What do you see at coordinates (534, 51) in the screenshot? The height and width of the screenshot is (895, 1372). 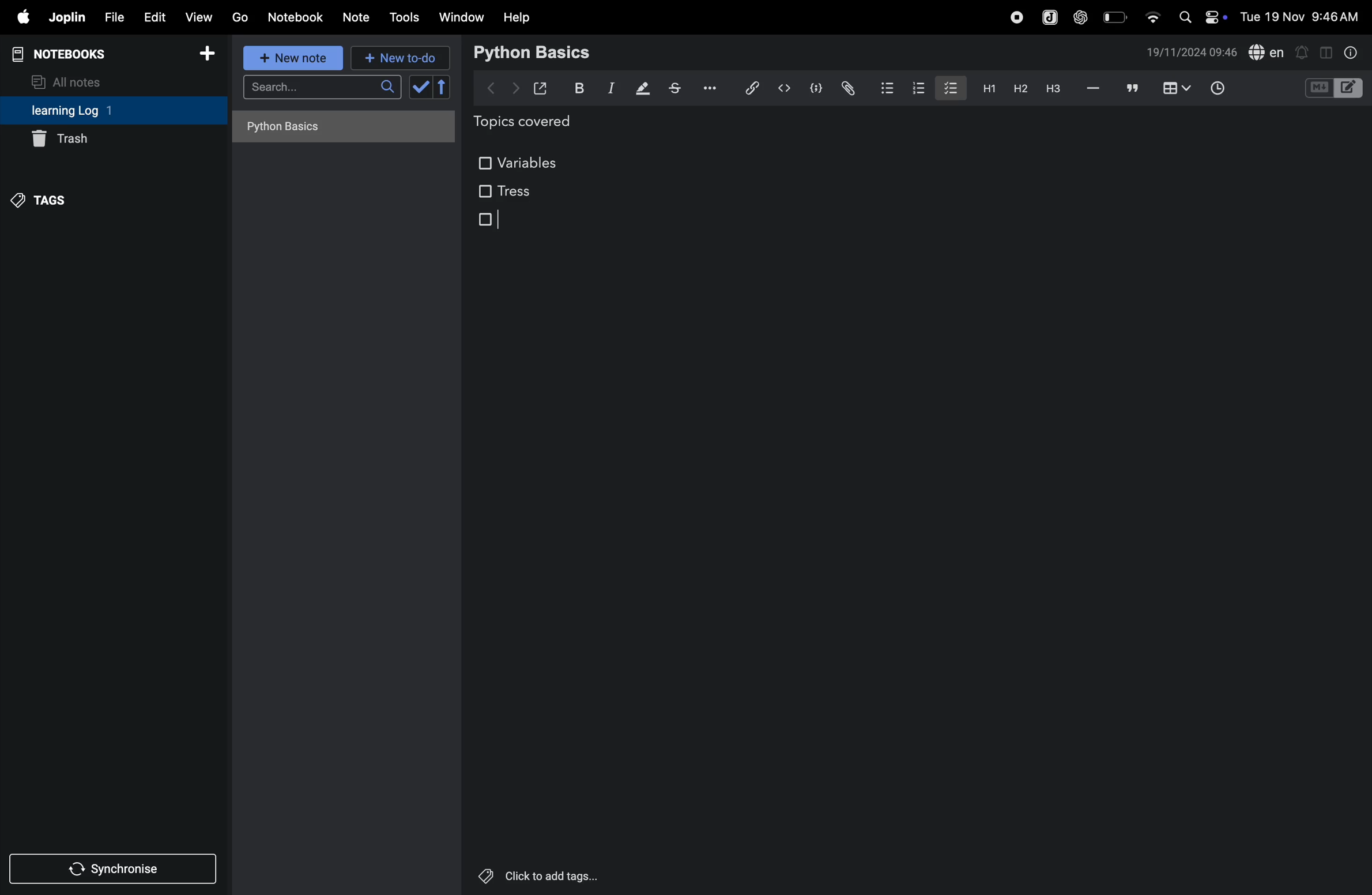 I see `python basic` at bounding box center [534, 51].